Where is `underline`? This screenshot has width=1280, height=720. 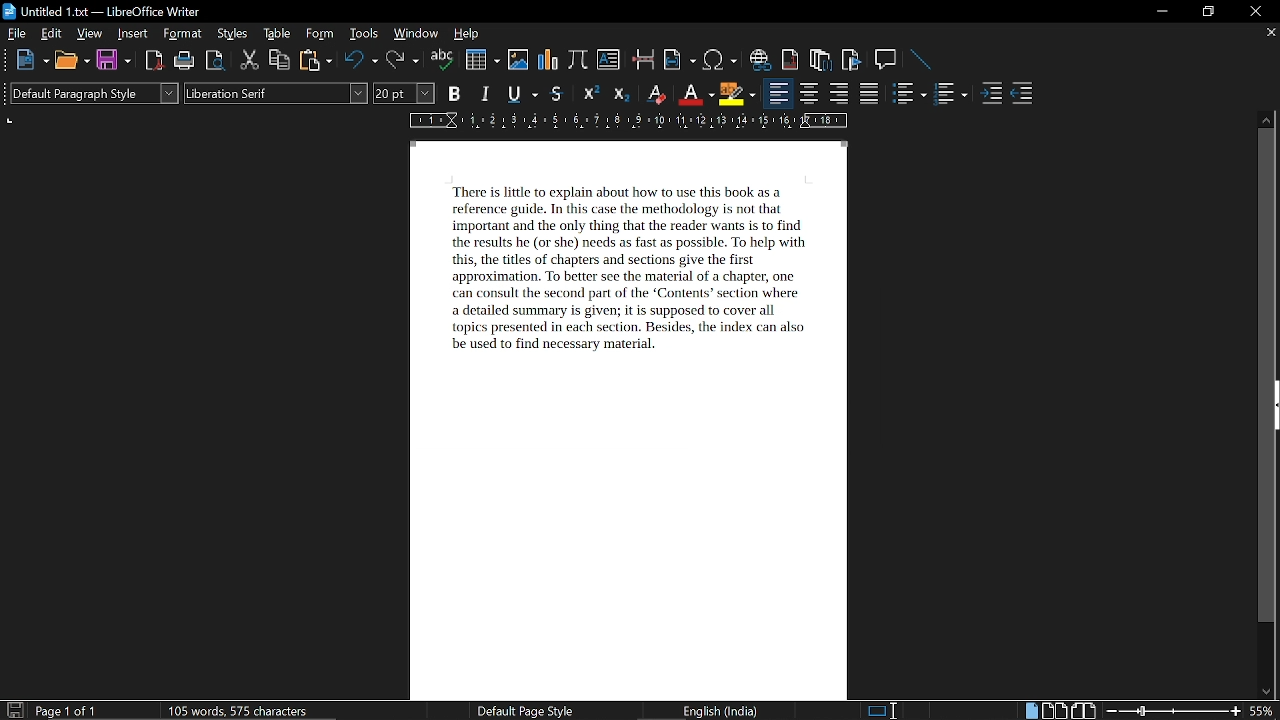
underline is located at coordinates (522, 93).